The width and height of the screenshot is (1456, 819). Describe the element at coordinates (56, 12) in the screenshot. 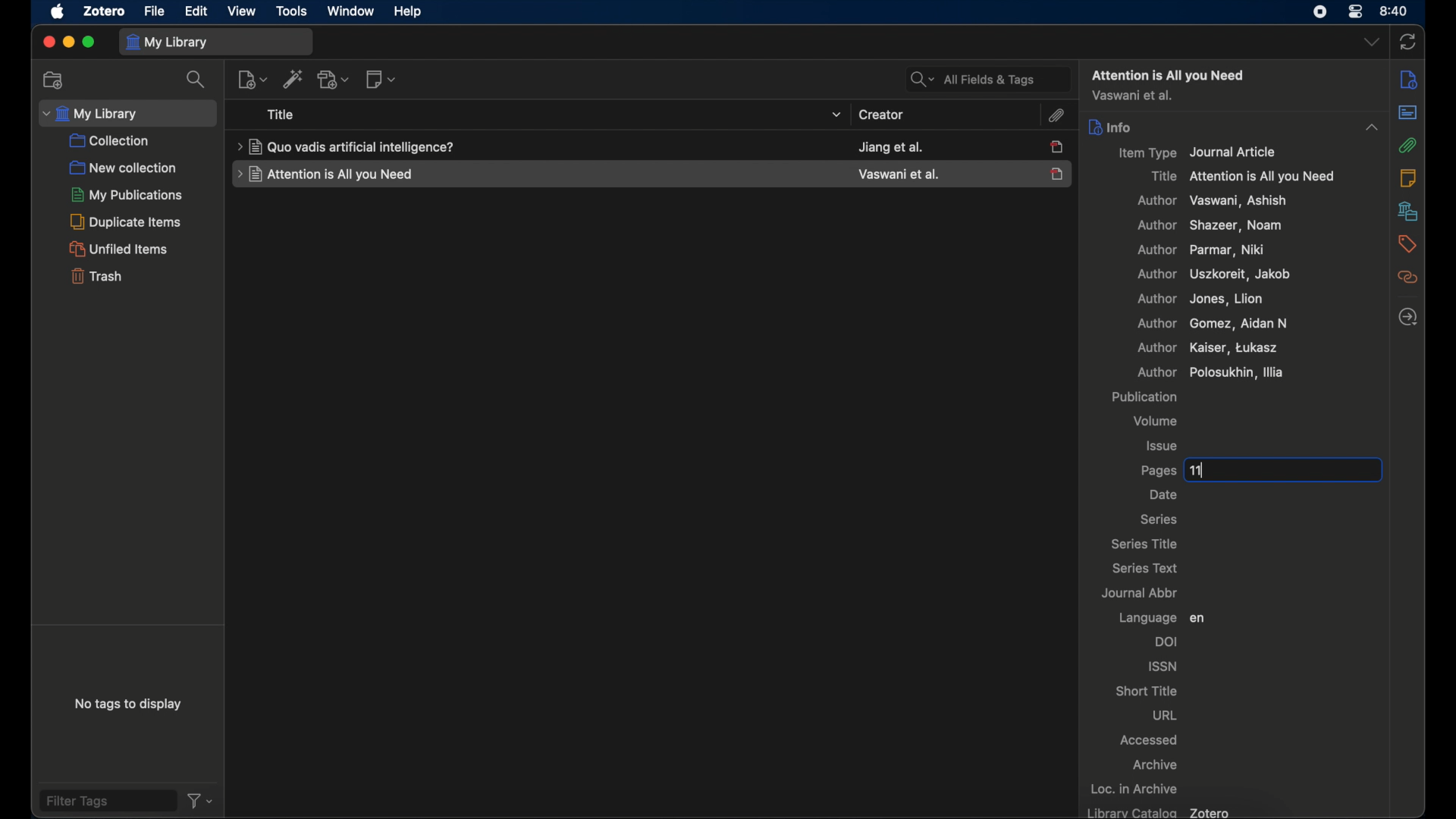

I see `apple icon` at that location.